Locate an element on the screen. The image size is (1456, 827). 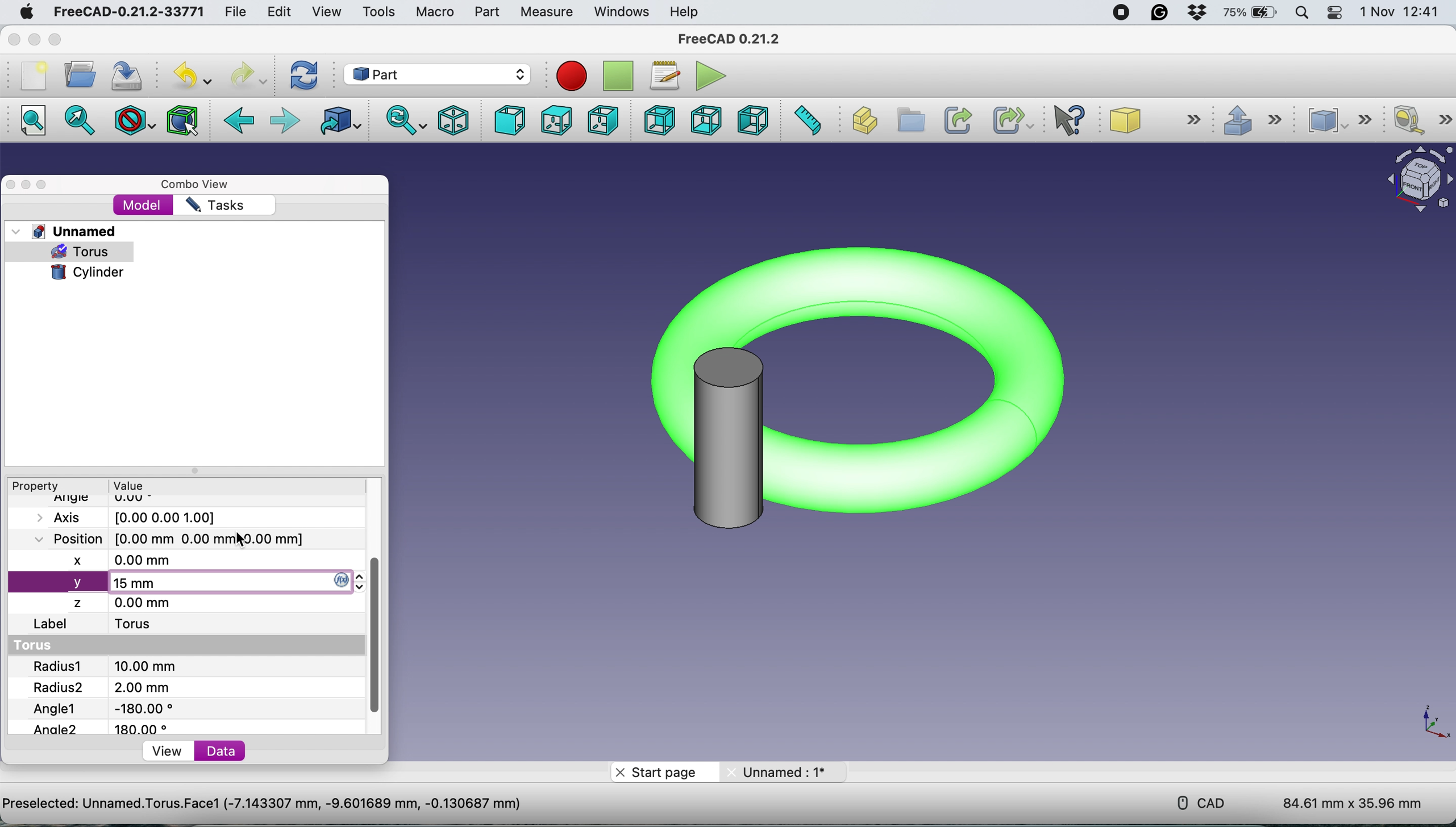
object interface is located at coordinates (1415, 182).